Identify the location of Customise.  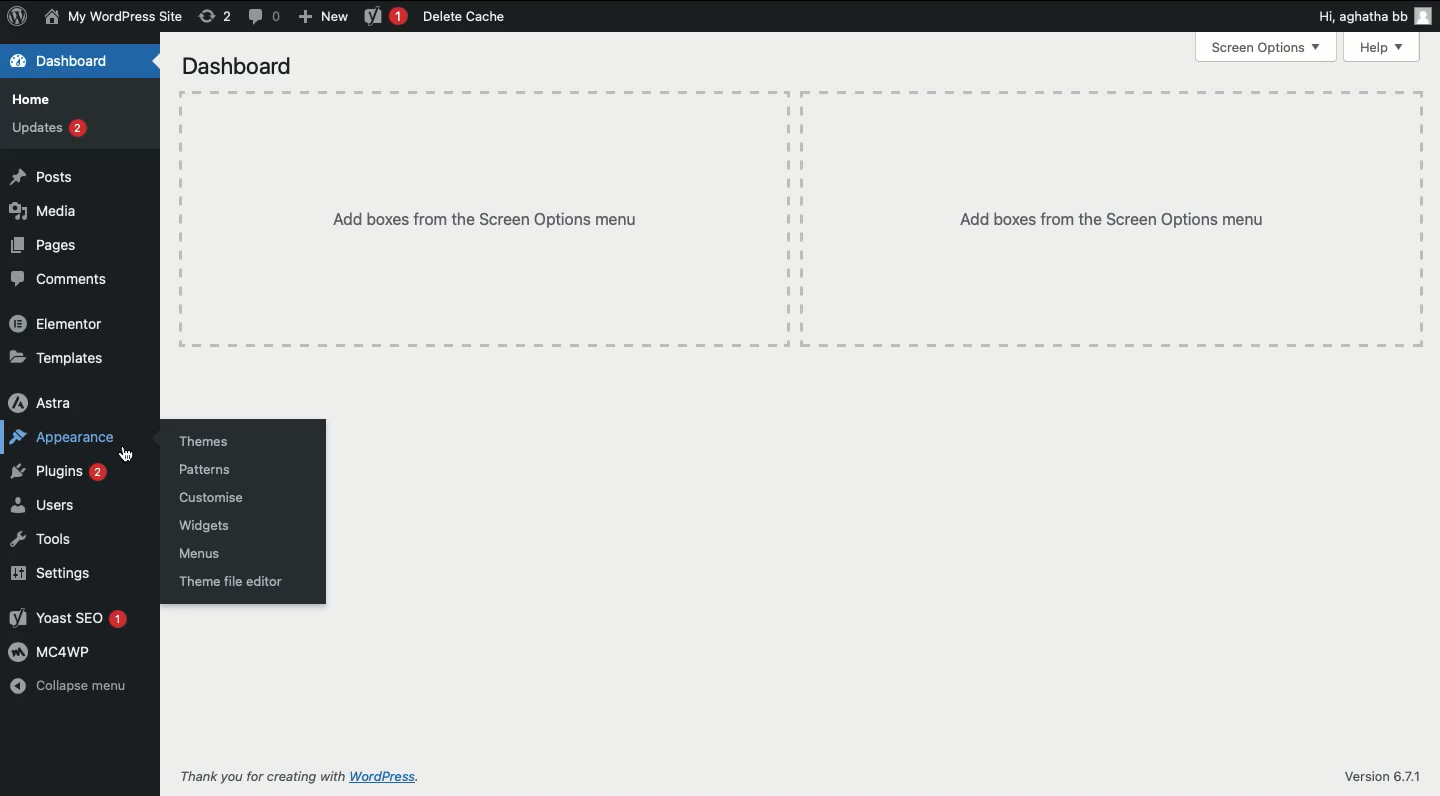
(225, 498).